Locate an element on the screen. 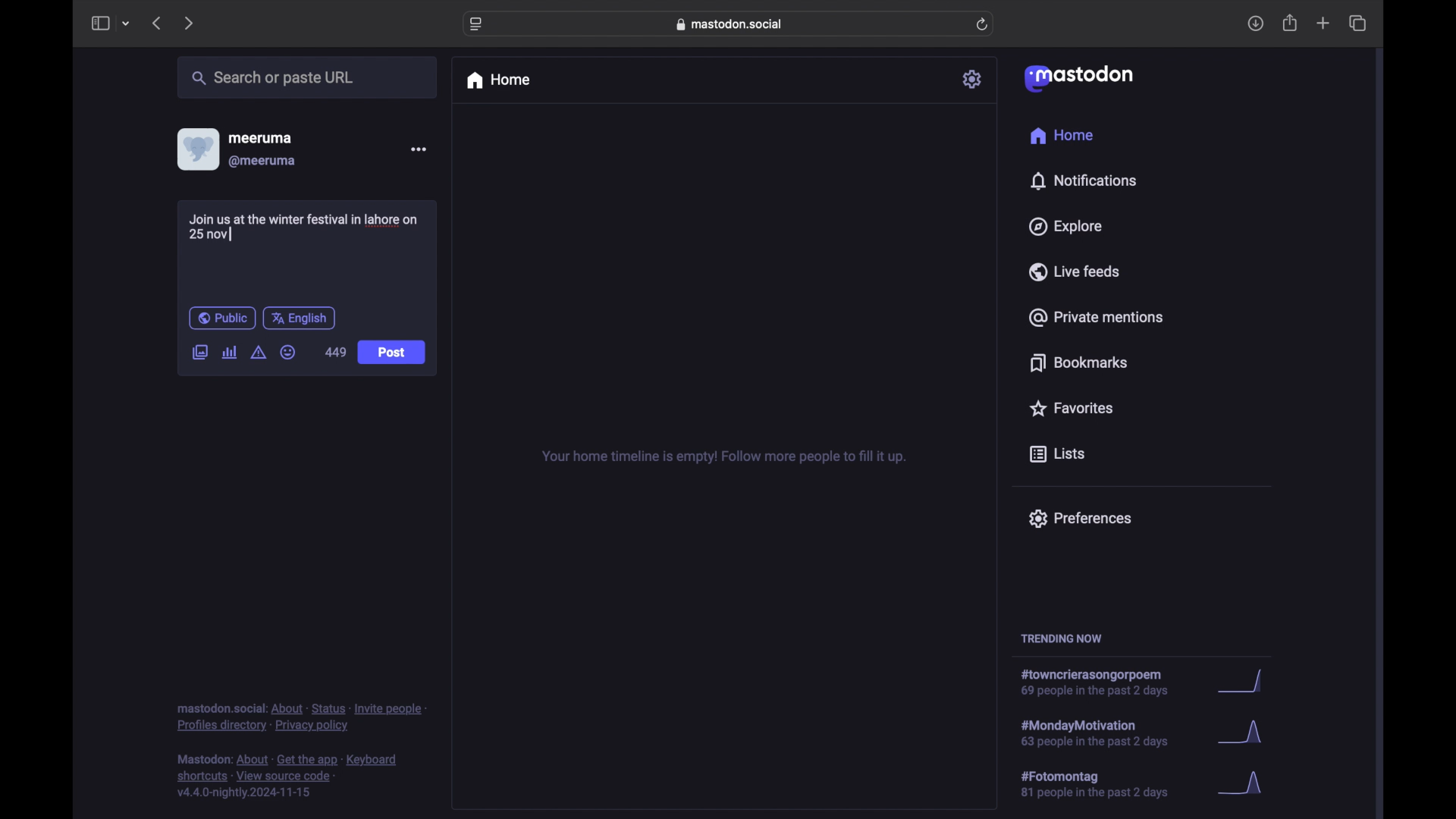 The width and height of the screenshot is (1456, 819). web address is located at coordinates (733, 24).